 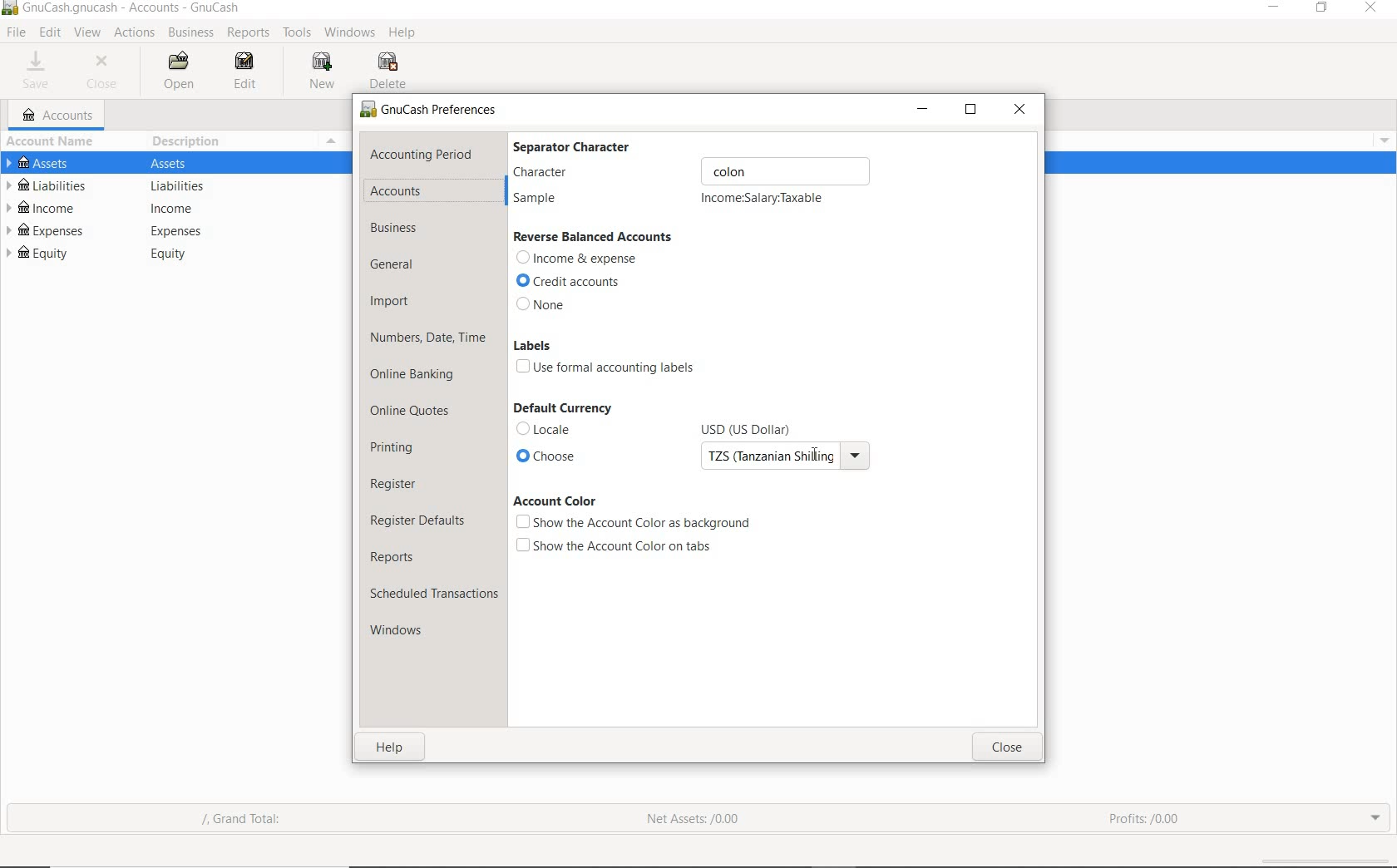 I want to click on system name, so click(x=131, y=9).